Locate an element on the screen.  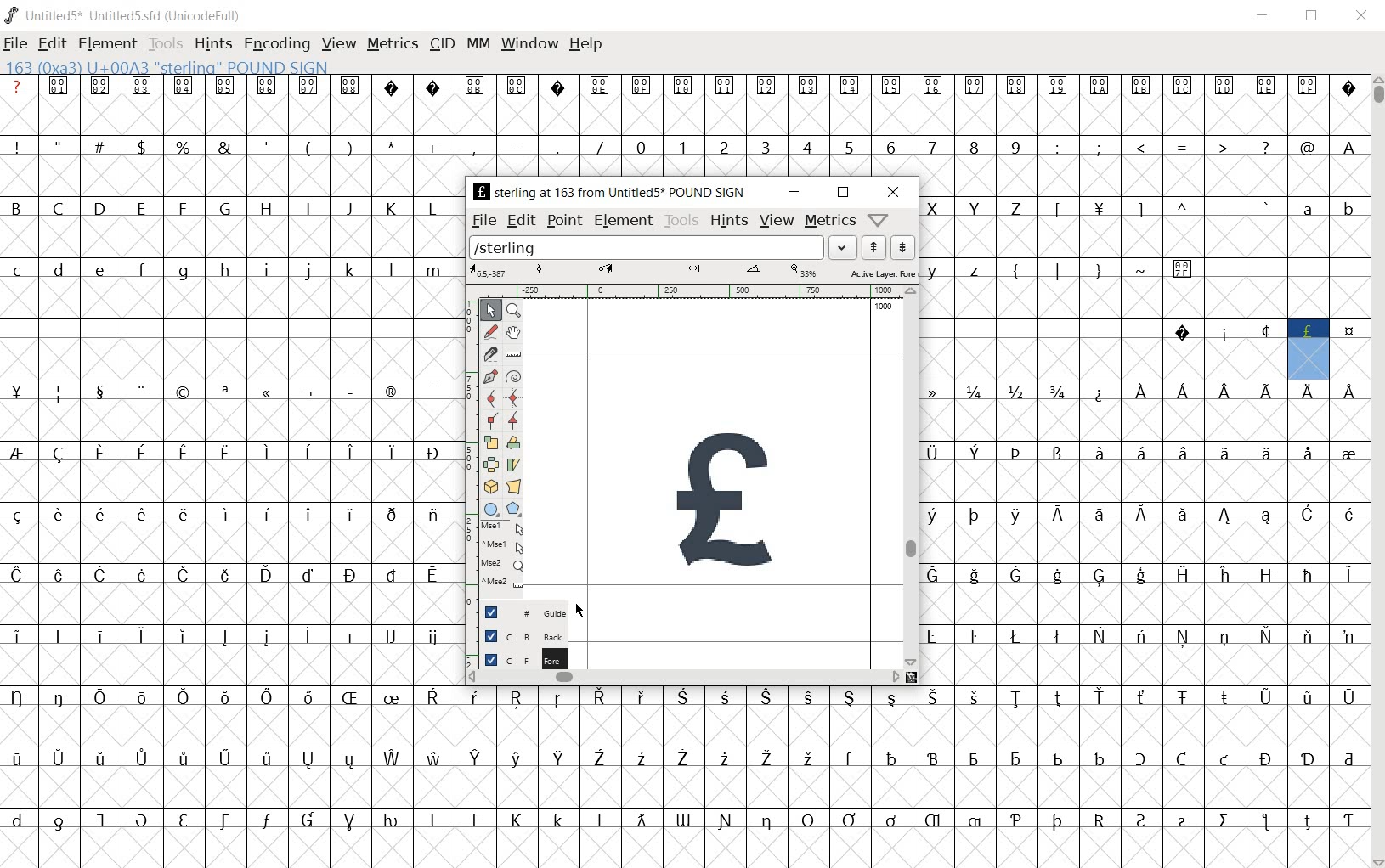
- is located at coordinates (516, 146).